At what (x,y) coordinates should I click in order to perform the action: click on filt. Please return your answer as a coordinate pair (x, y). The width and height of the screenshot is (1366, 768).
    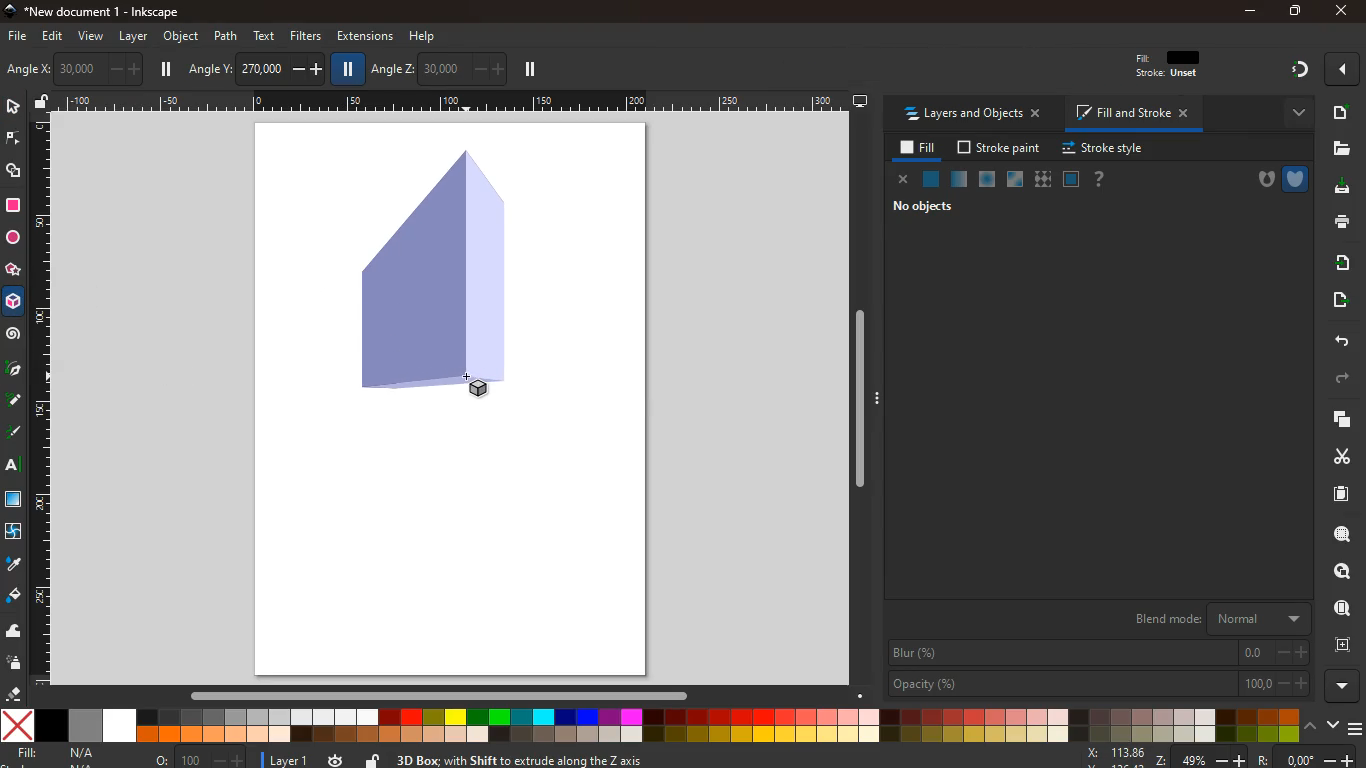
    Looking at the image, I should click on (1169, 69).